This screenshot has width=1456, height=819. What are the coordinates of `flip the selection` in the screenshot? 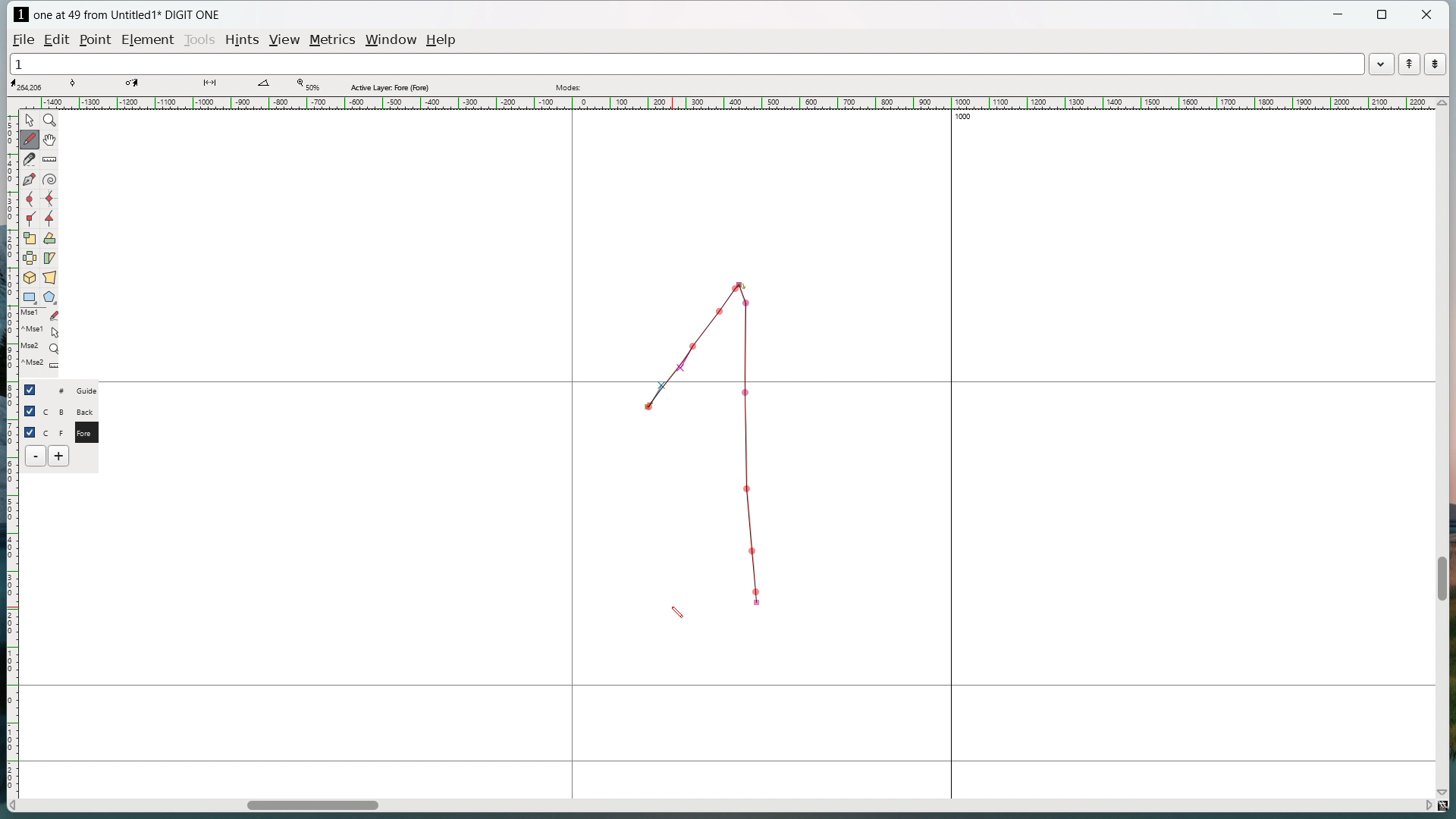 It's located at (30, 258).